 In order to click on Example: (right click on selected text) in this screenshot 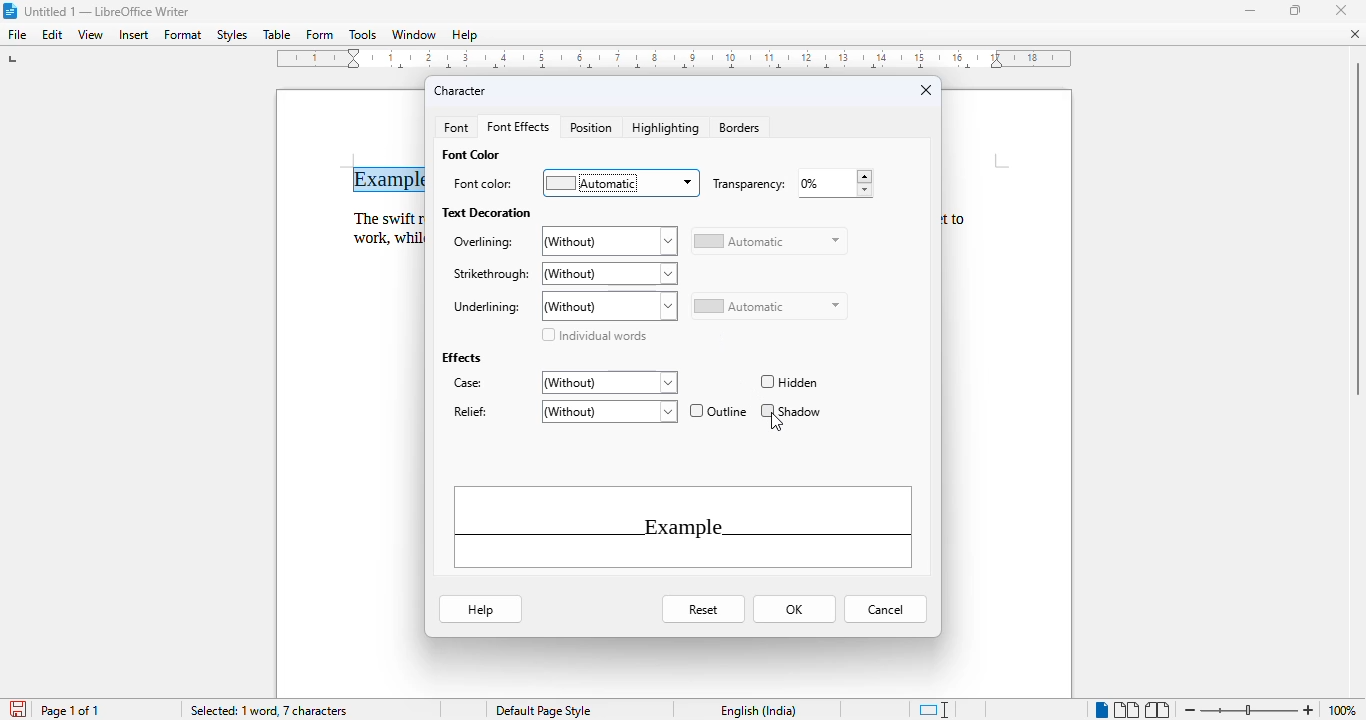, I will do `click(396, 176)`.